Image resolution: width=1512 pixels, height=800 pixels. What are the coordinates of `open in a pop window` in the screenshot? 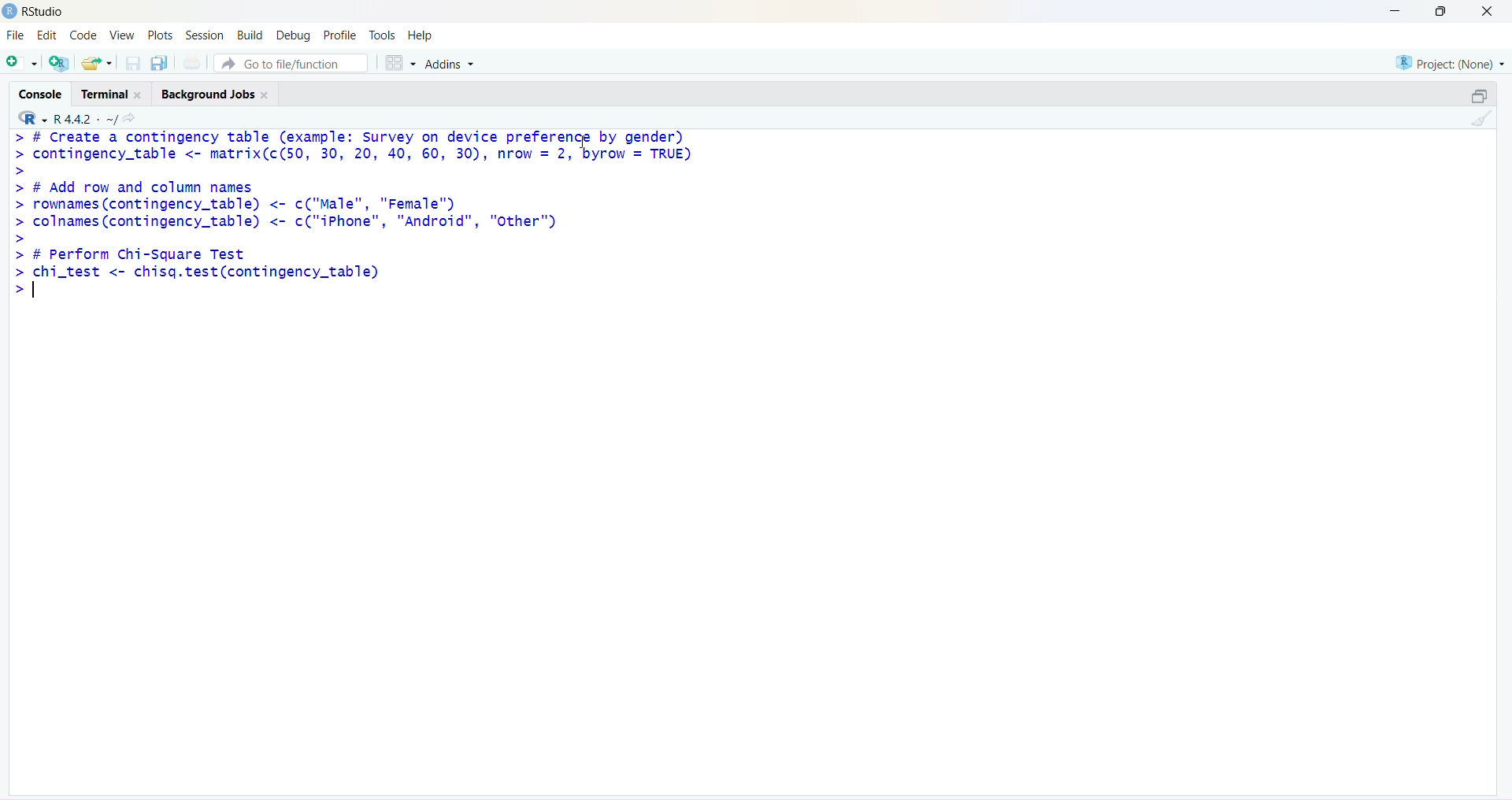 It's located at (1478, 96).